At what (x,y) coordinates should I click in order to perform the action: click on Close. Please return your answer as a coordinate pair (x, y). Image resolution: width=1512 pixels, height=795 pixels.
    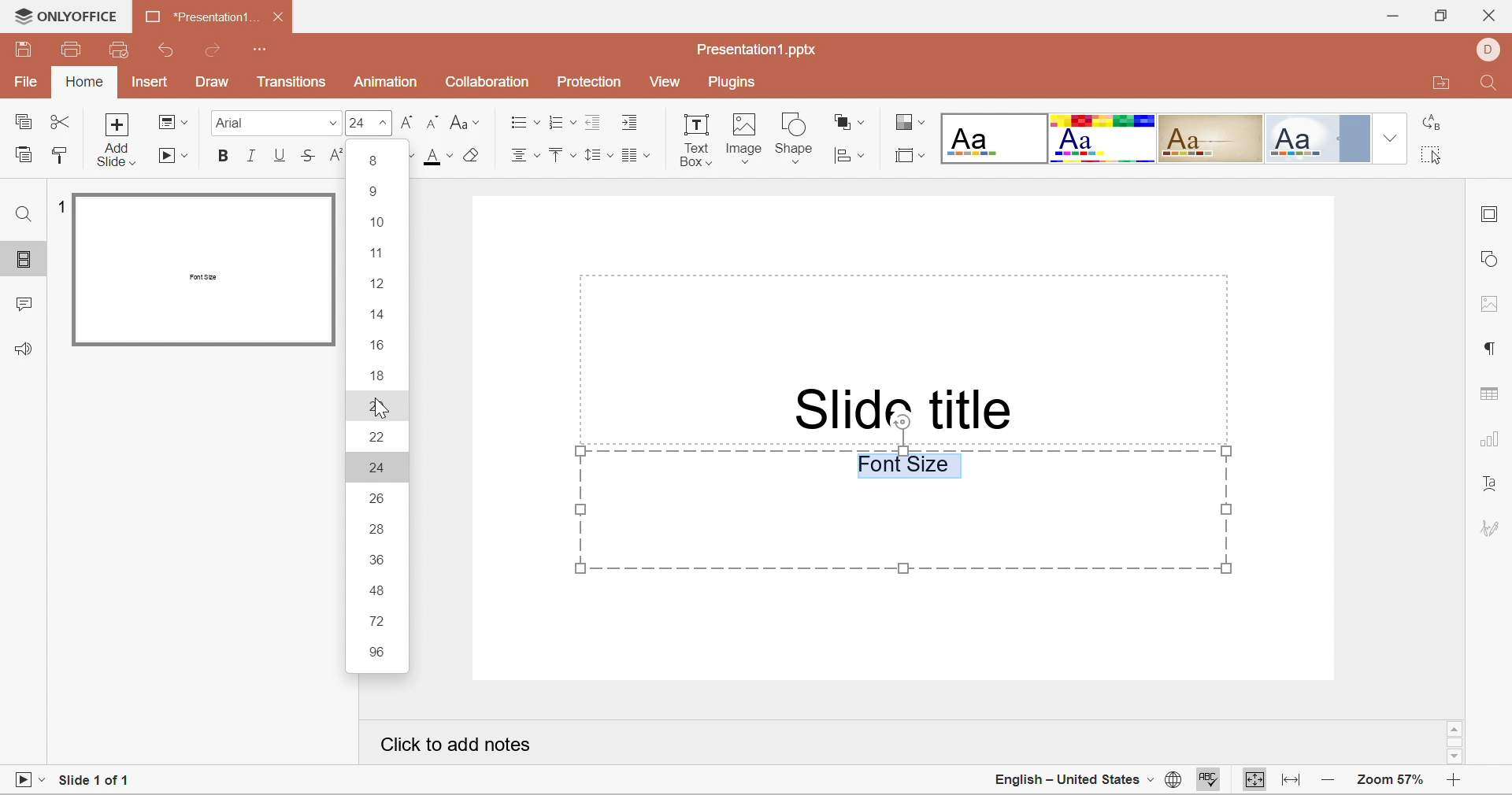
    Looking at the image, I should click on (282, 20).